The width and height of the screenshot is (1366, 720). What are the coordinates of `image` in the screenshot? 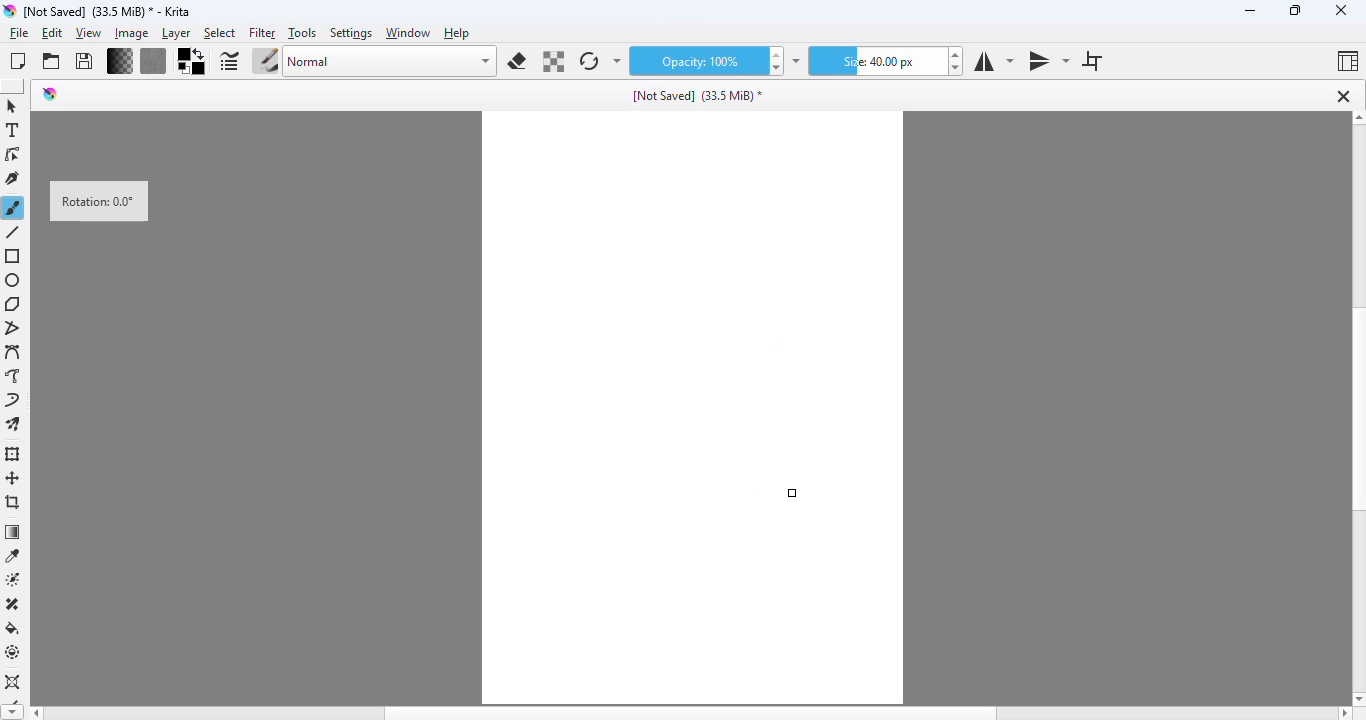 It's located at (131, 33).